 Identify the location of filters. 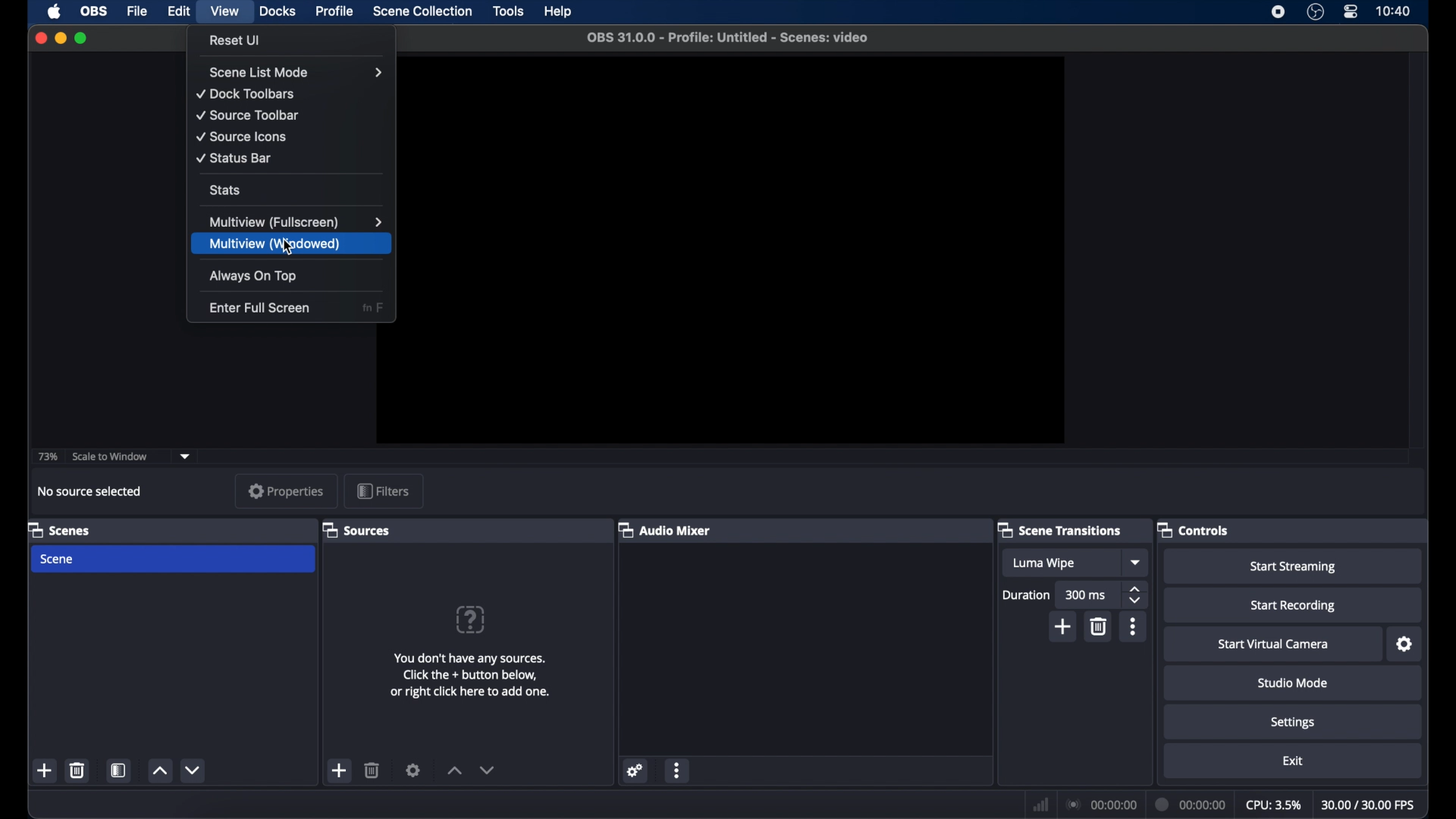
(384, 491).